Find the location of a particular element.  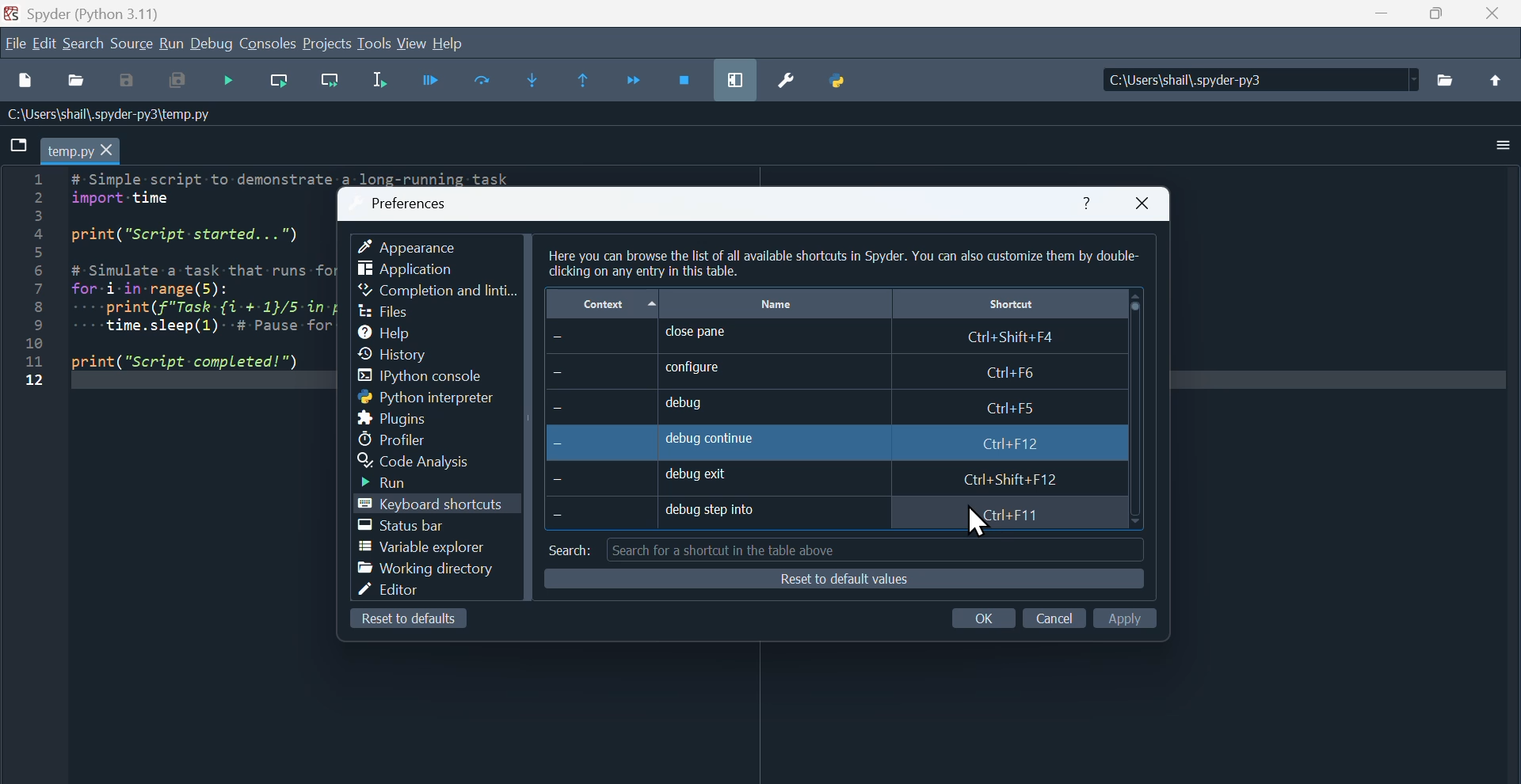

Projects is located at coordinates (326, 42).